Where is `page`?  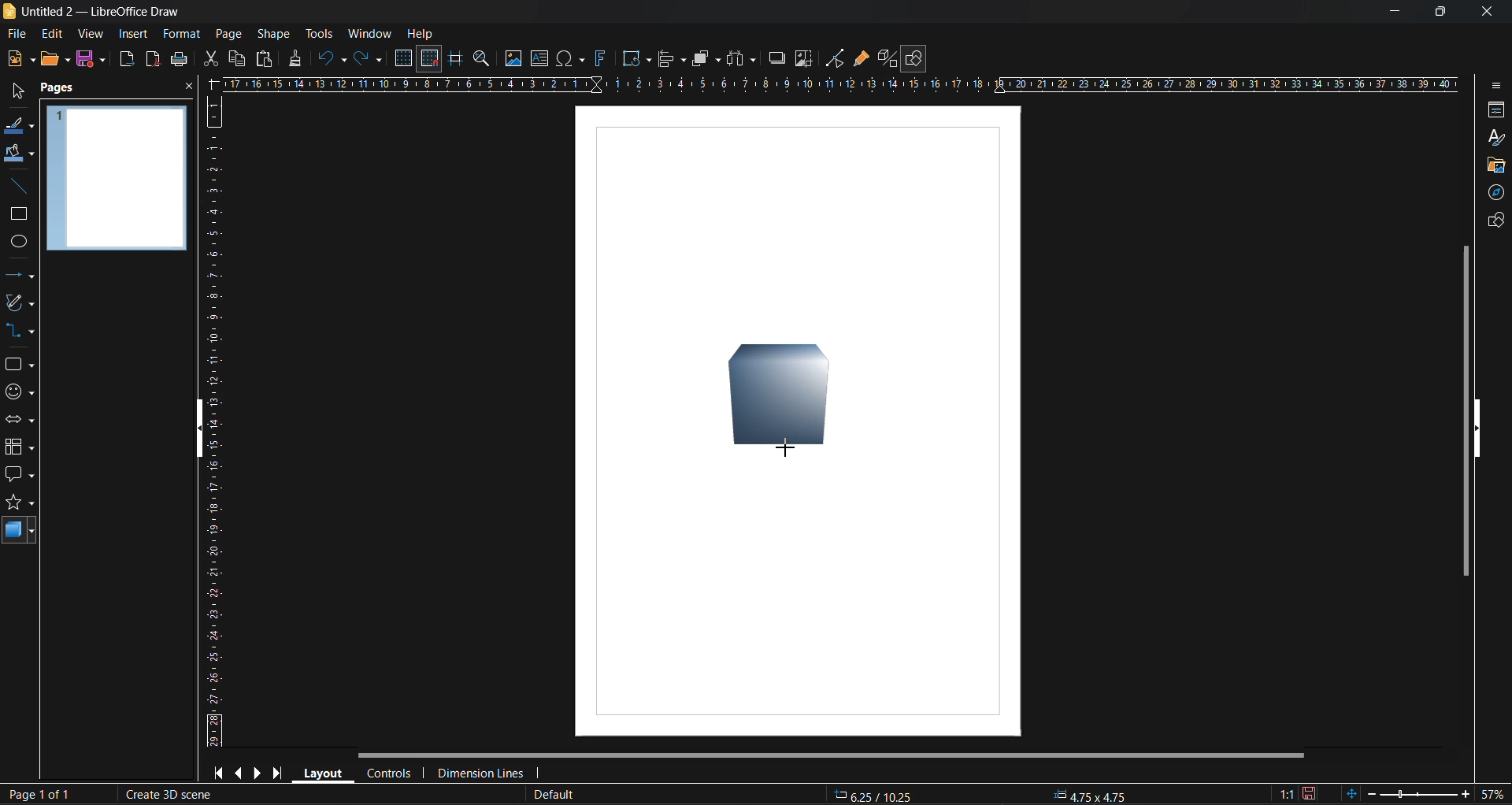
page is located at coordinates (228, 33).